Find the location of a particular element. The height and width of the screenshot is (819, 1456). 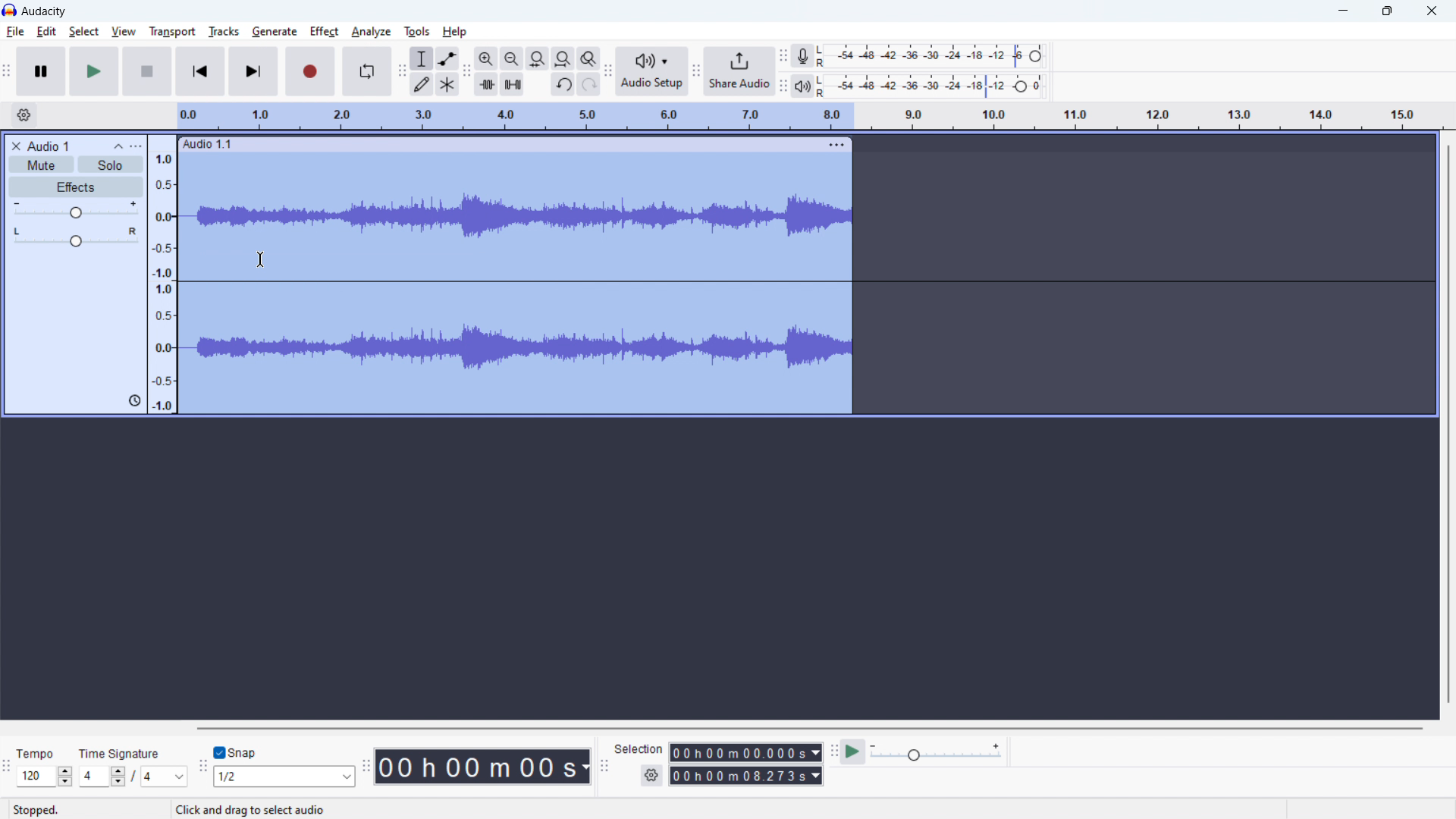

selection tool is located at coordinates (422, 58).